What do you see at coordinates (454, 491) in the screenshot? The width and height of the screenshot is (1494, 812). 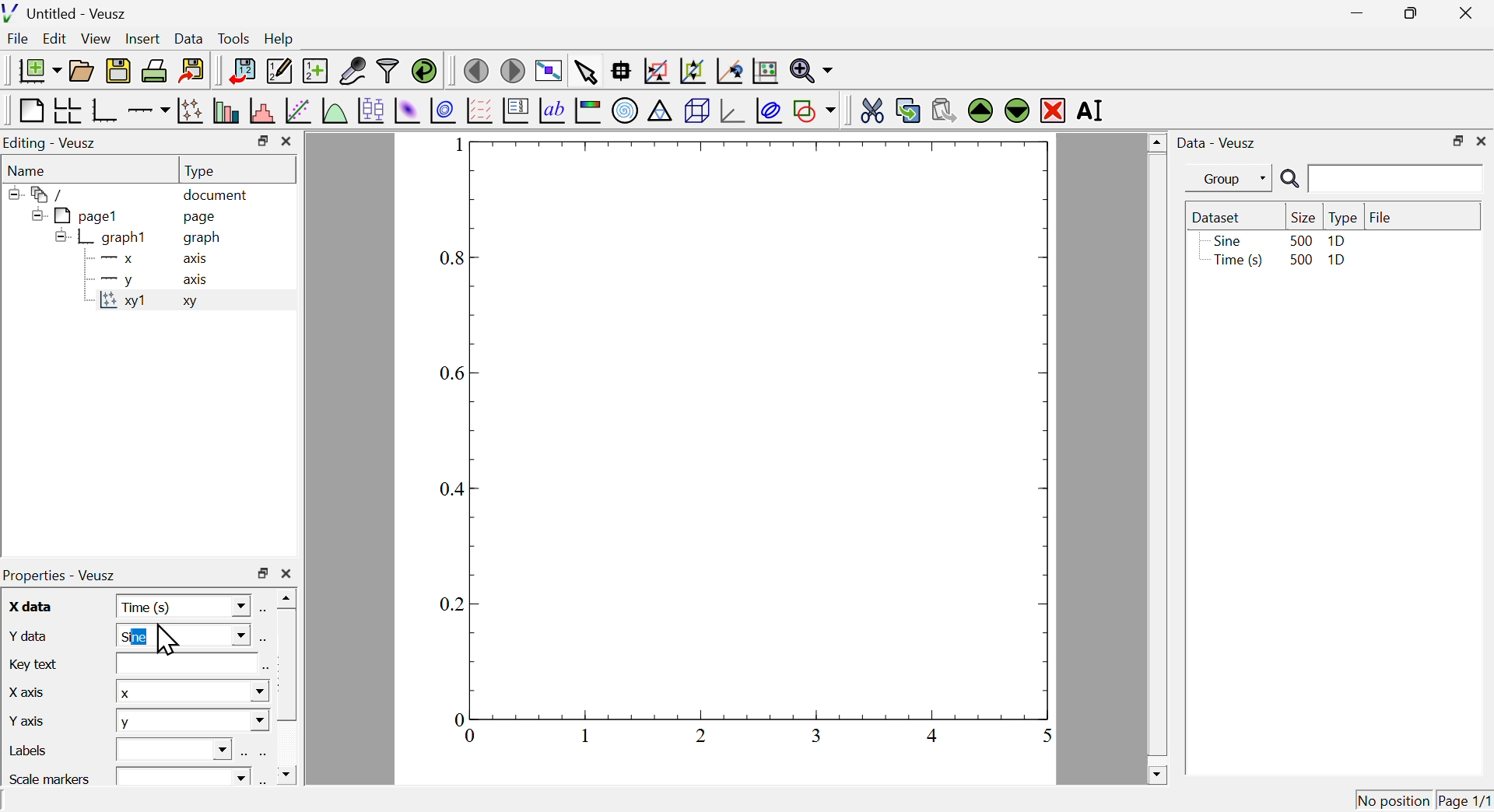 I see `0.4` at bounding box center [454, 491].